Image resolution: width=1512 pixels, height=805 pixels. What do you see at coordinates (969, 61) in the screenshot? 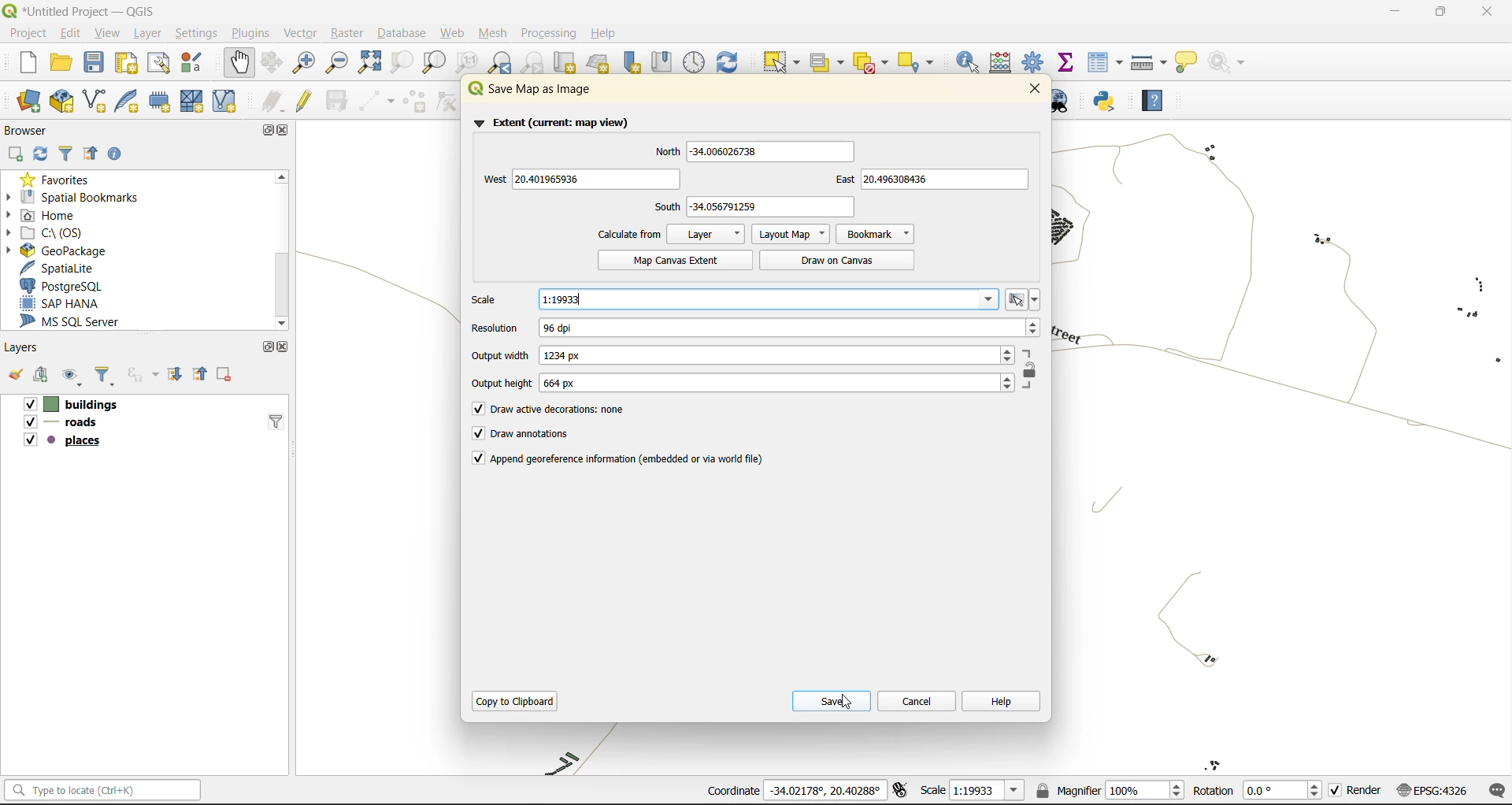
I see `identify features` at bounding box center [969, 61].